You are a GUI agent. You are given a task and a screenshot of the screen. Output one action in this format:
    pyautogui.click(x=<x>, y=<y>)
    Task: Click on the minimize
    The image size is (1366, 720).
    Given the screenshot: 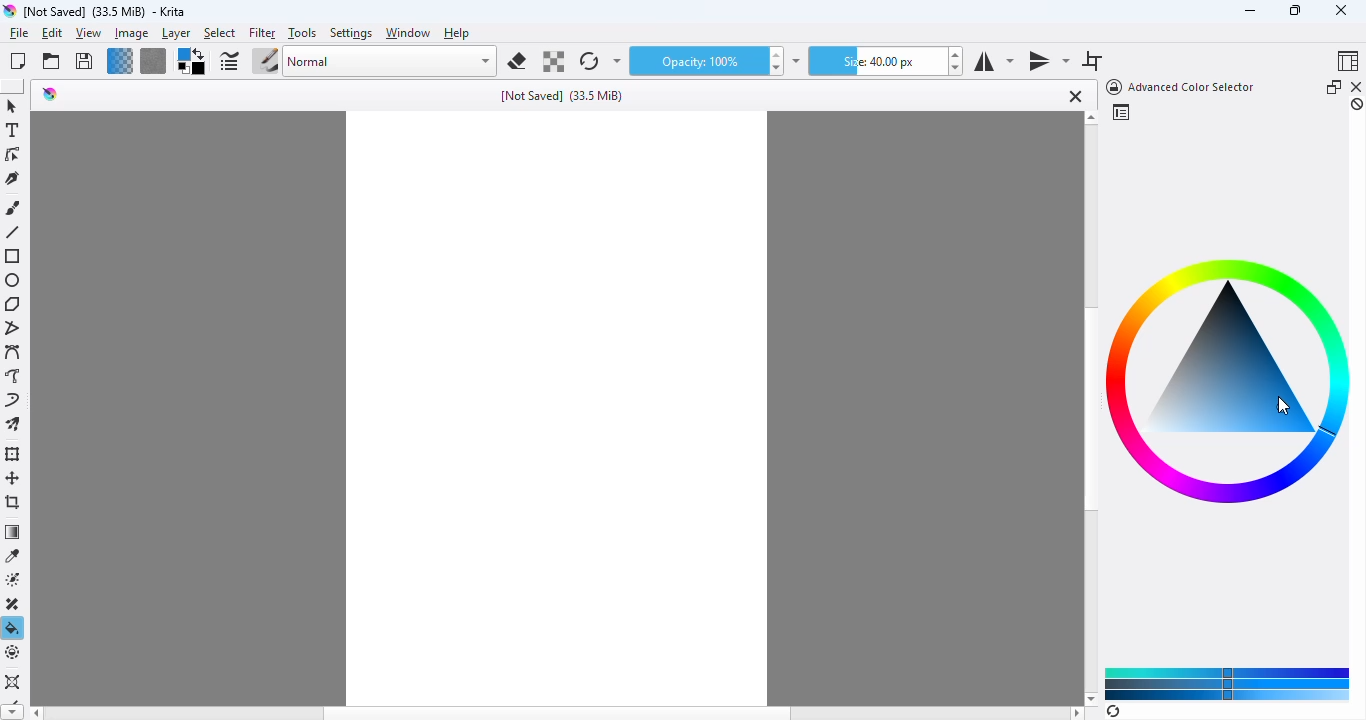 What is the action you would take?
    pyautogui.click(x=1250, y=11)
    